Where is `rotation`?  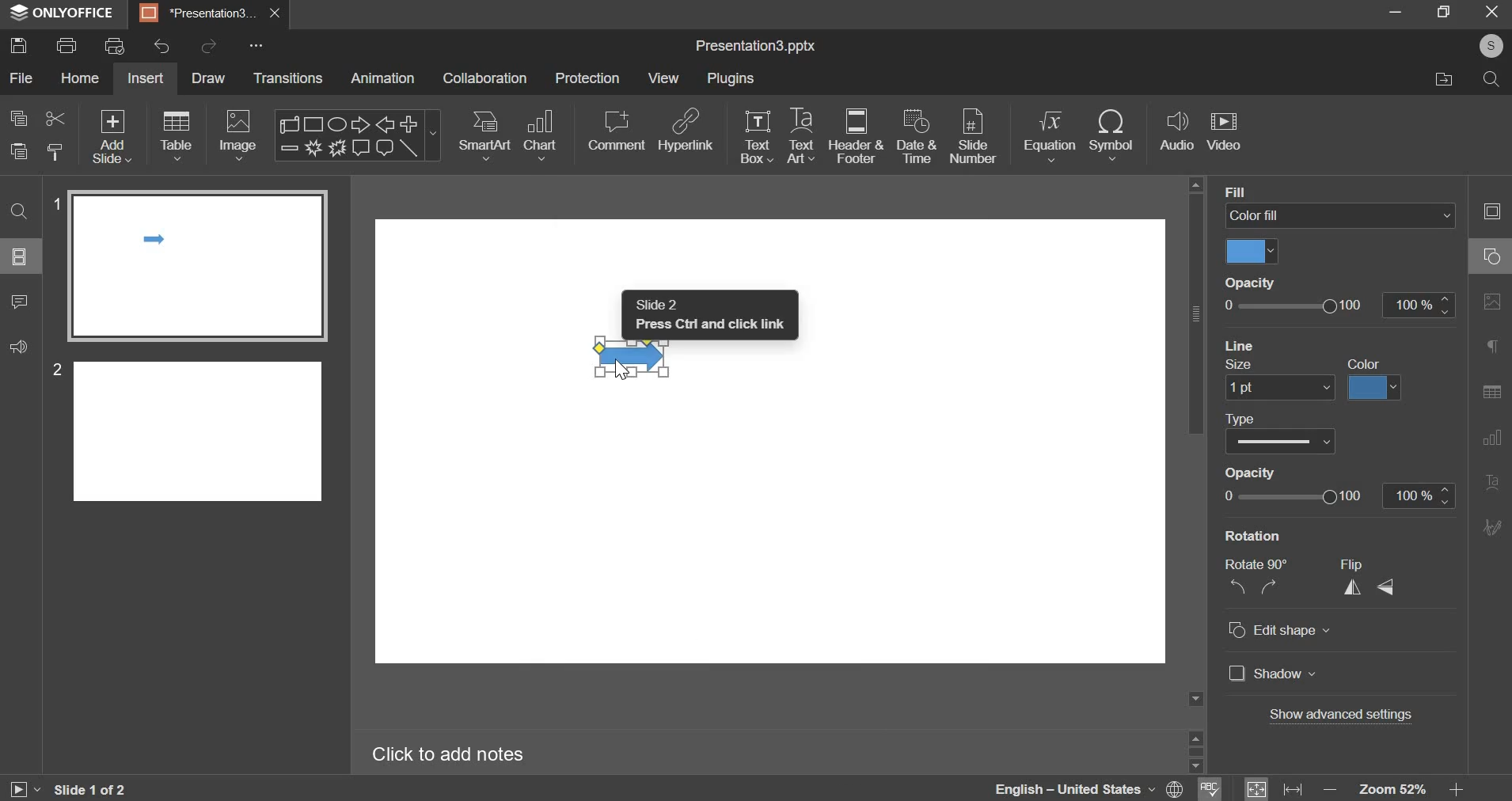 rotation is located at coordinates (1253, 536).